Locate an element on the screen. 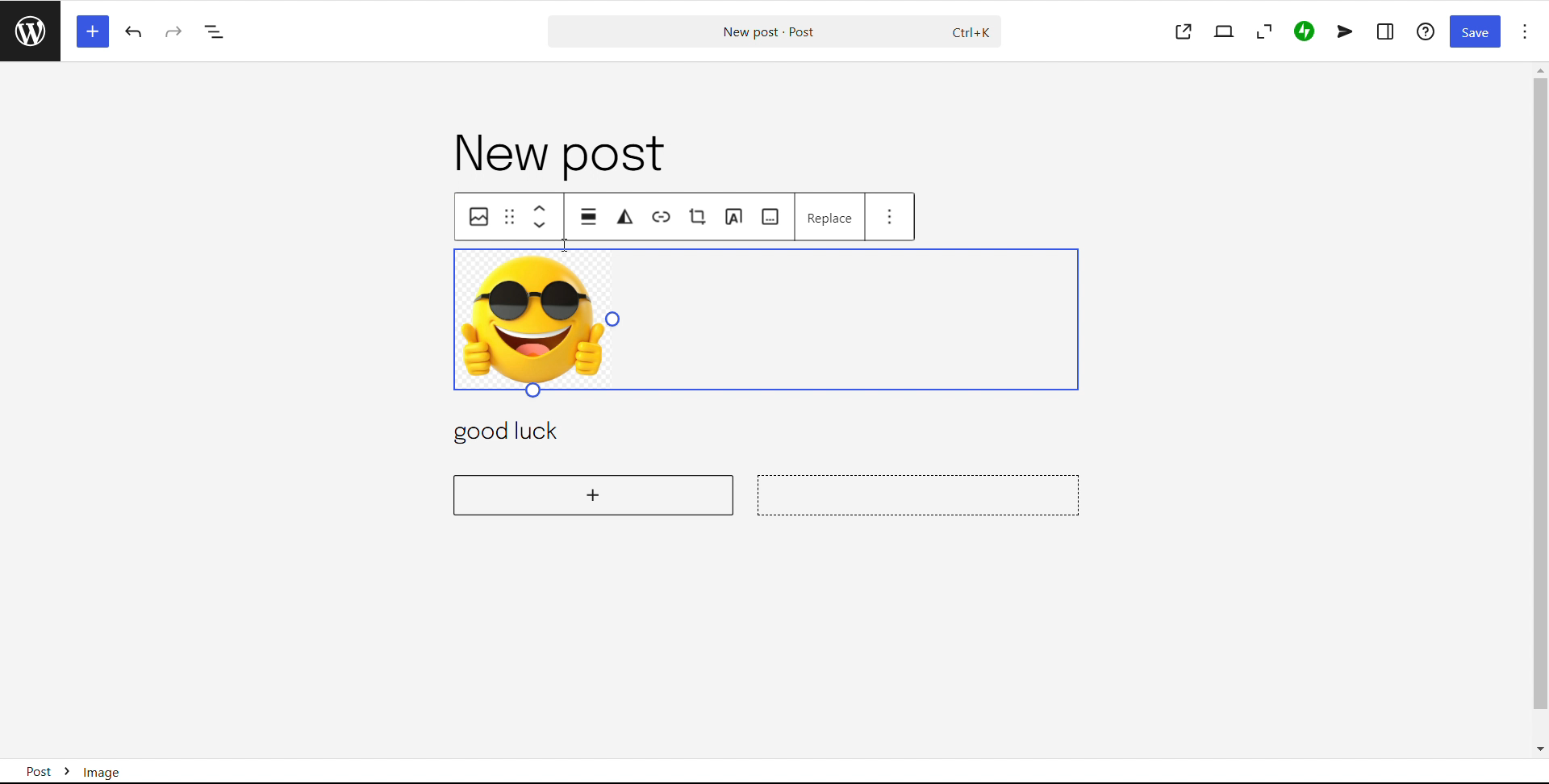  drag is located at coordinates (511, 217).